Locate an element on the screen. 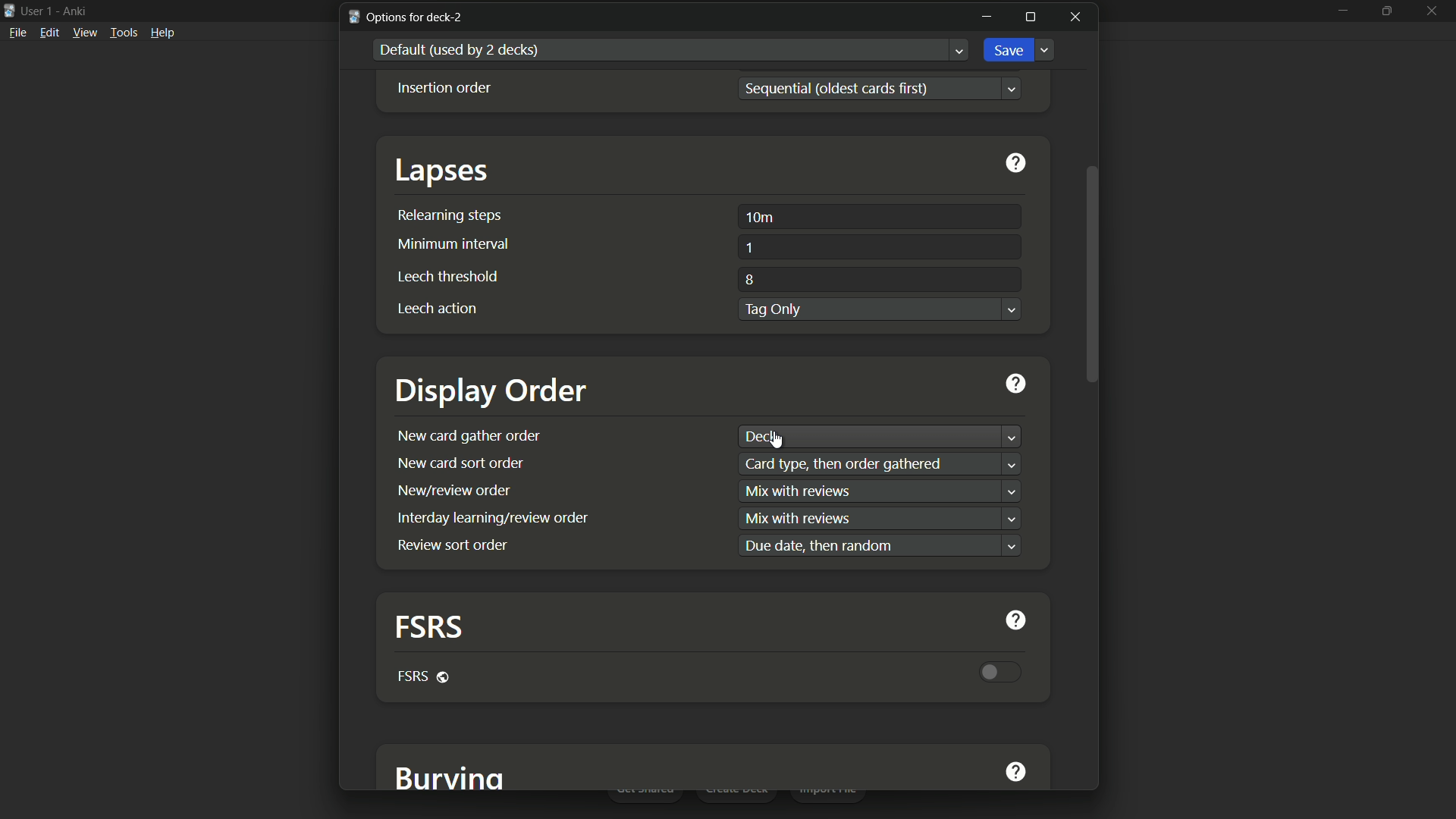 This screenshot has height=819, width=1456. leech threshold is located at coordinates (448, 275).